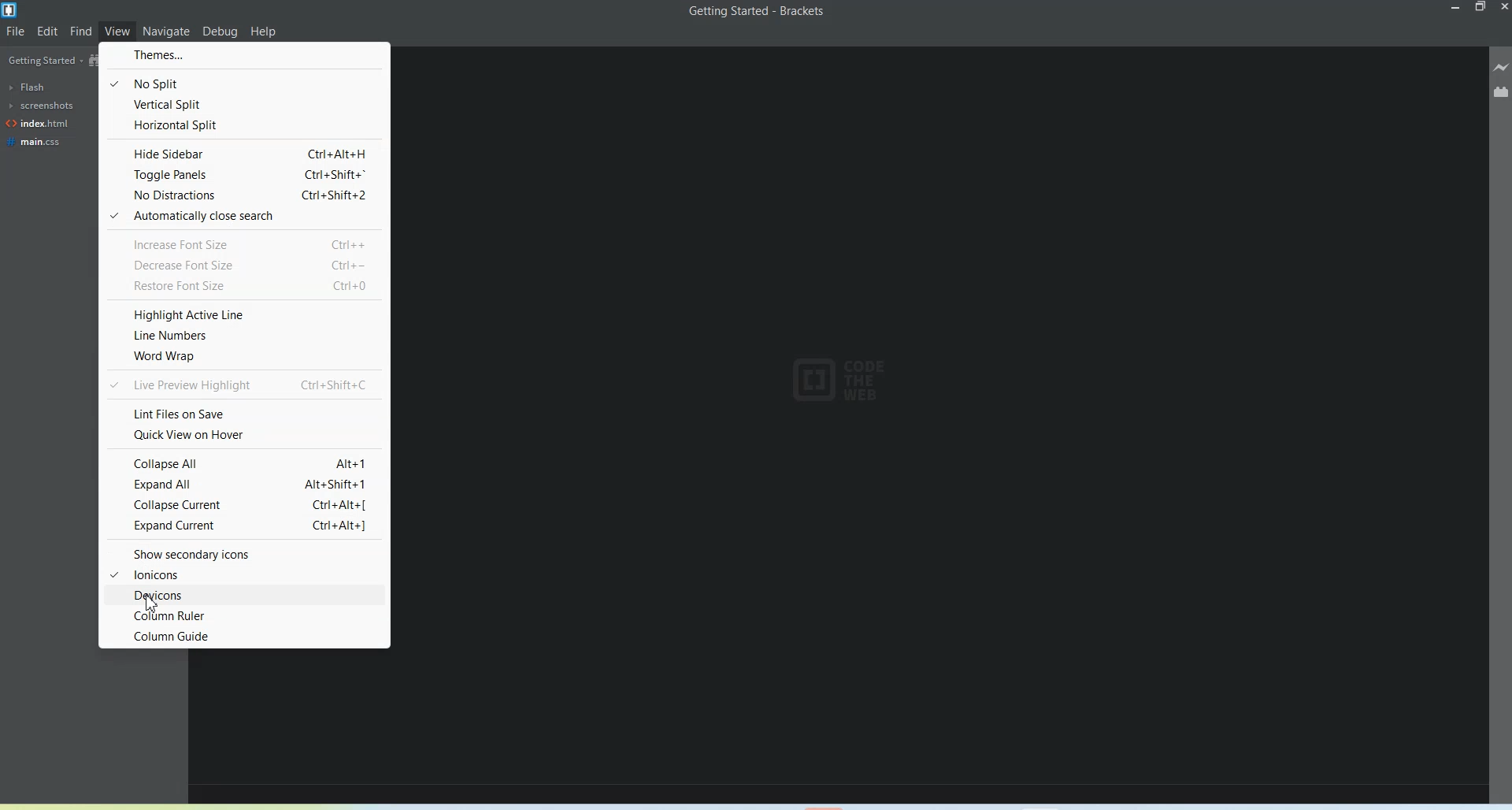  Describe the element at coordinates (1501, 66) in the screenshot. I see `Live Preview` at that location.